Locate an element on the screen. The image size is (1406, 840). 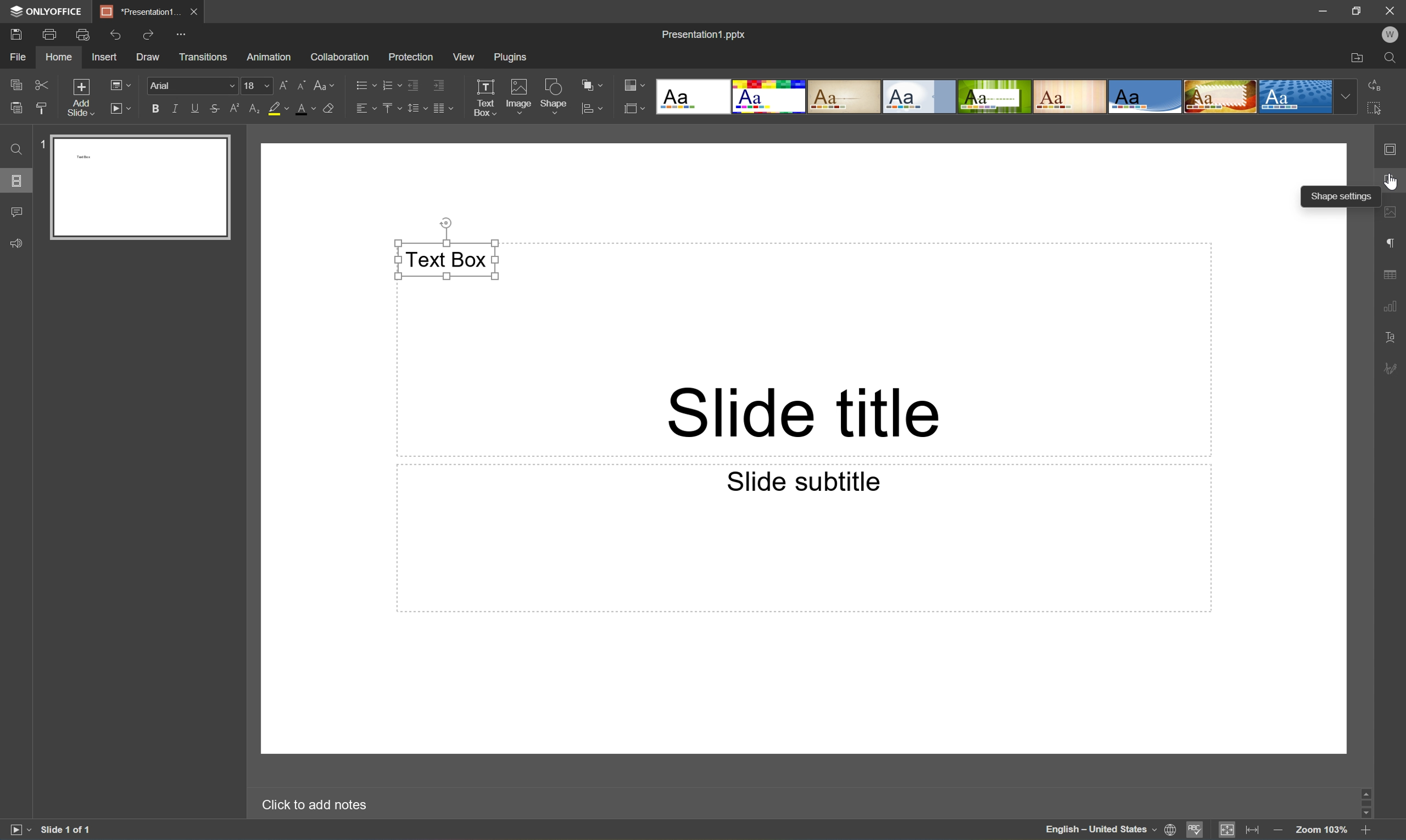
Bold is located at coordinates (152, 110).